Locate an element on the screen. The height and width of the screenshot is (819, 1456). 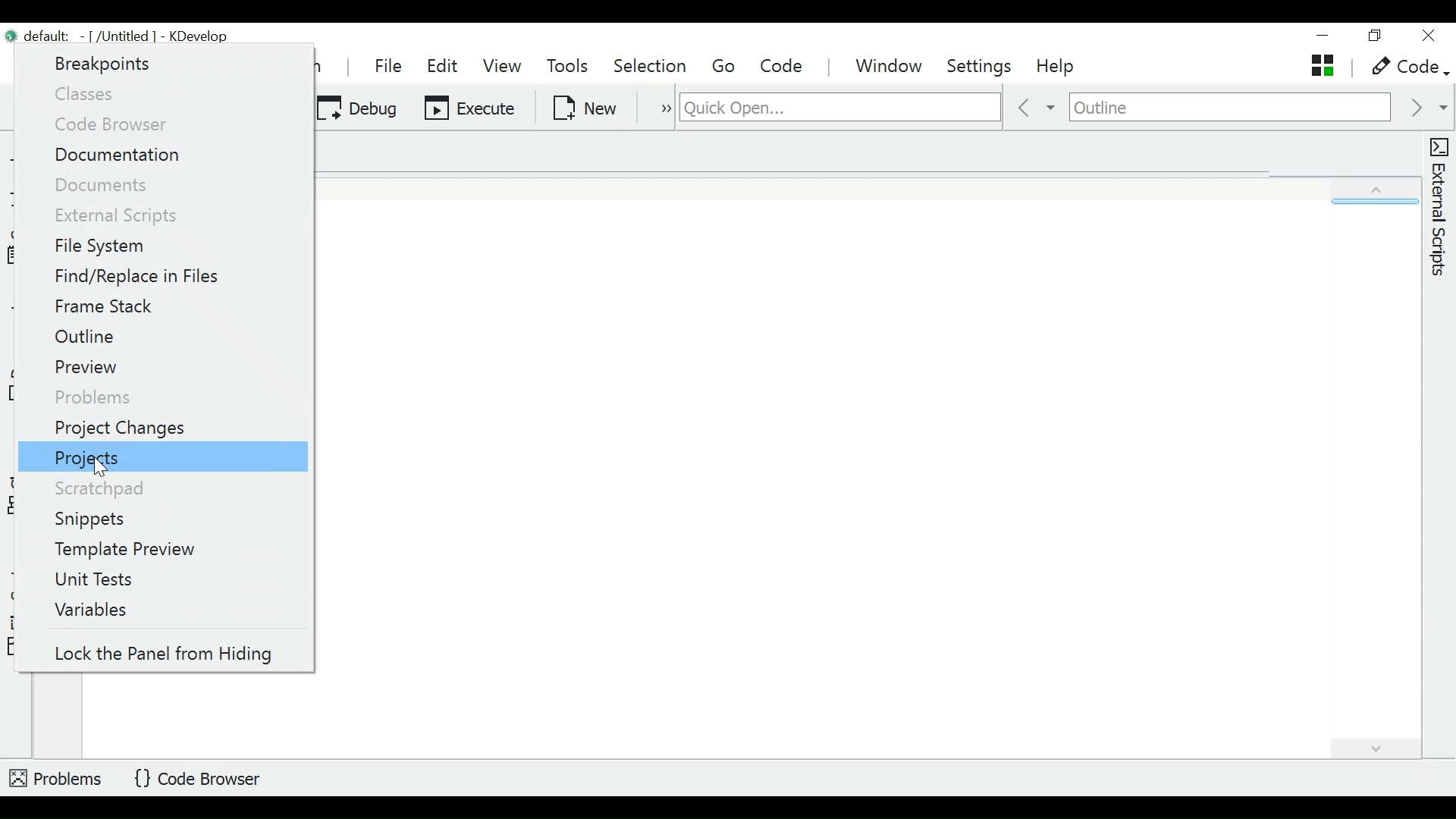
expand is located at coordinates (1368, 750).